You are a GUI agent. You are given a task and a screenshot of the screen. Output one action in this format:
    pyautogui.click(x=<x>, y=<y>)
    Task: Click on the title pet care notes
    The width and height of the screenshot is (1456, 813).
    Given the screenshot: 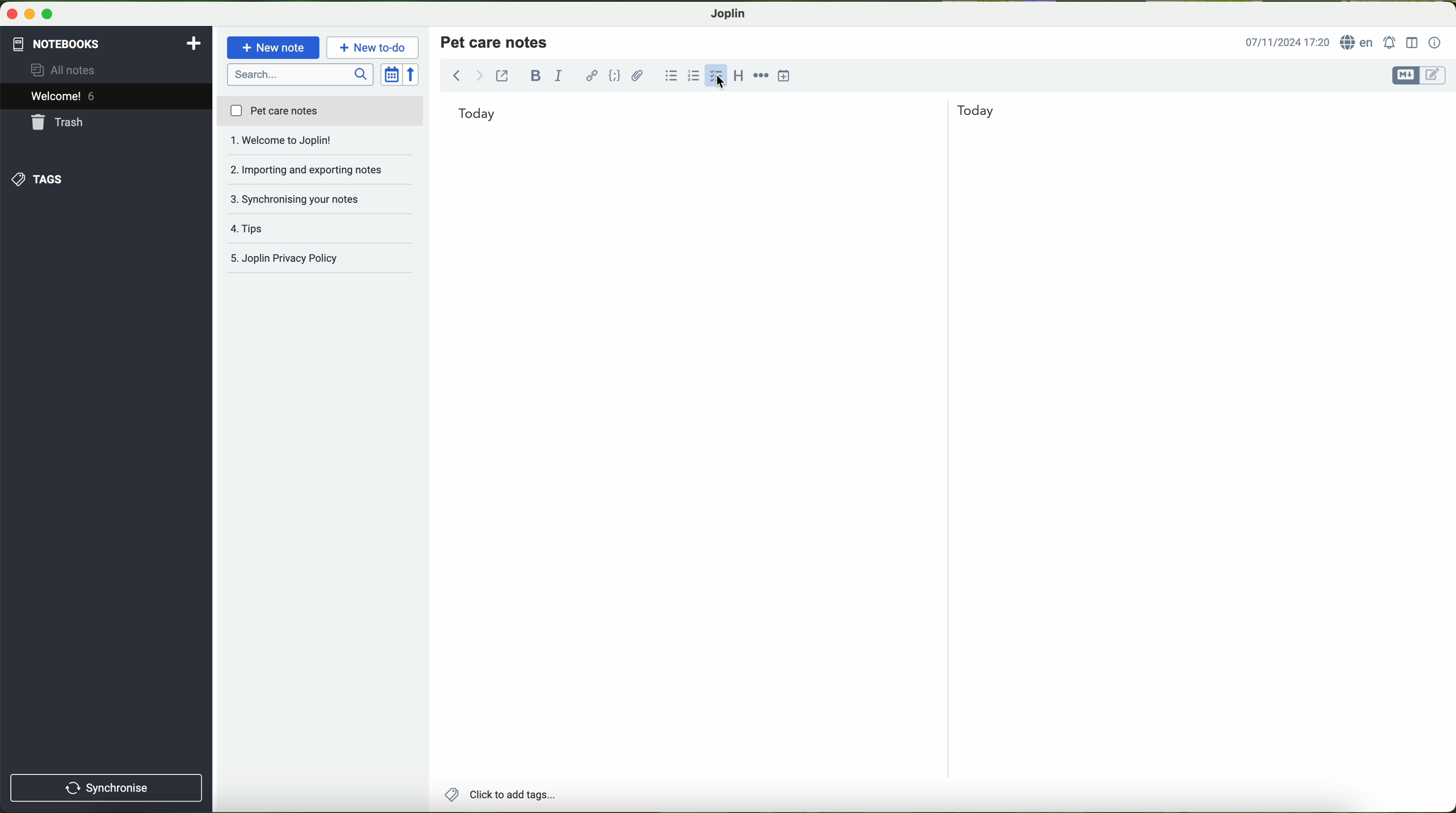 What is the action you would take?
    pyautogui.click(x=496, y=41)
    